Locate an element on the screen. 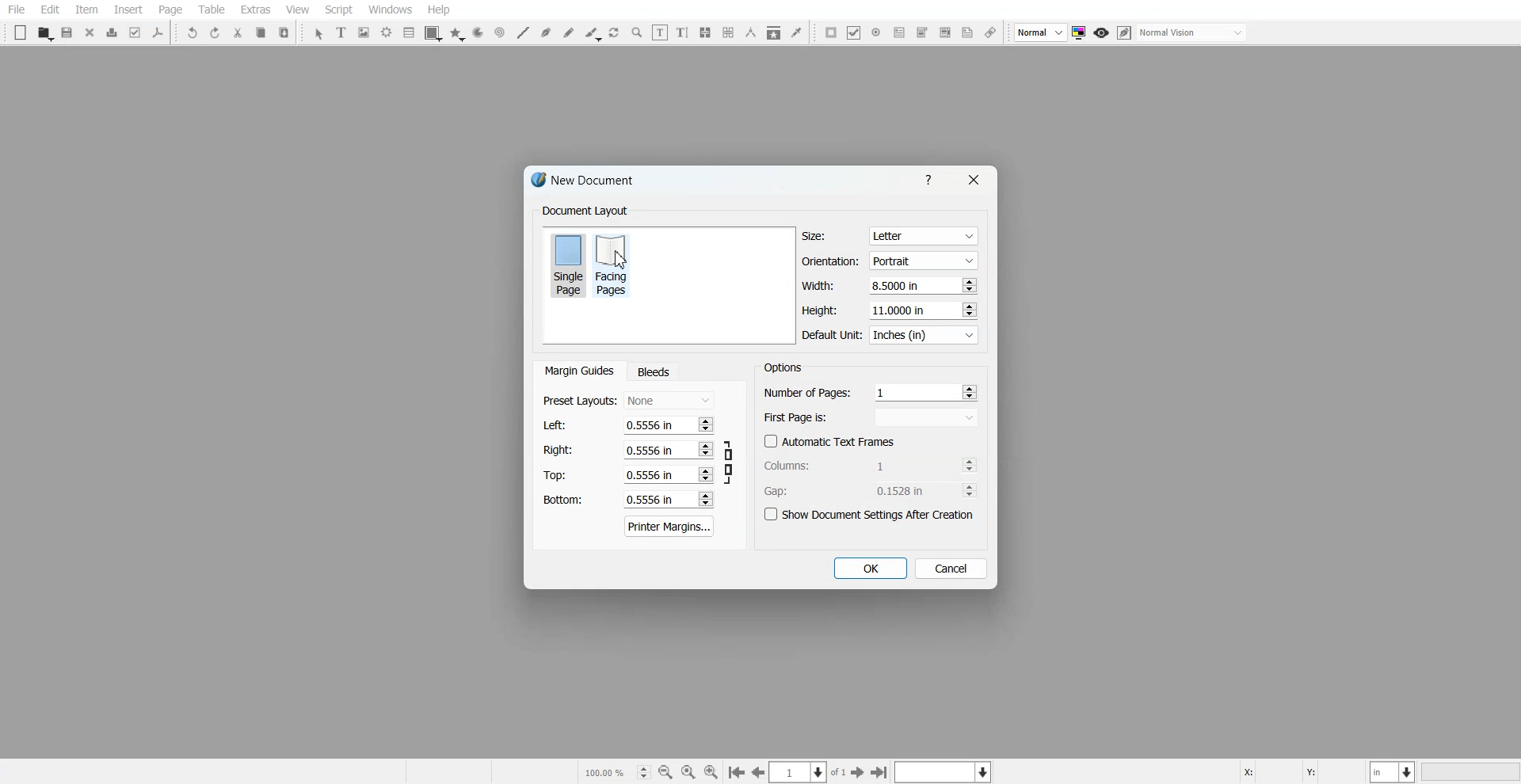  Insert is located at coordinates (128, 10).